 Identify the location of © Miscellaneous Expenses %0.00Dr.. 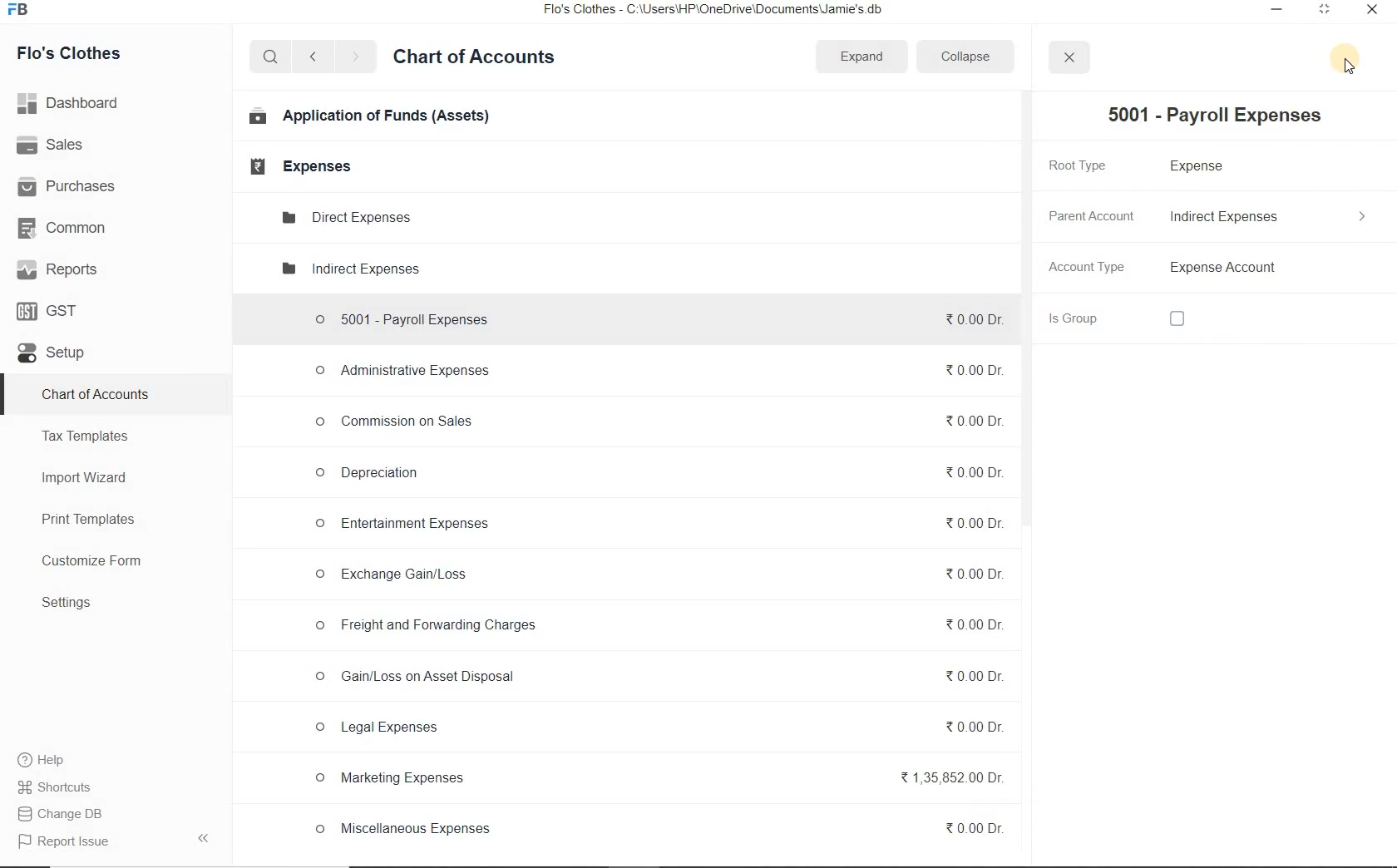
(657, 829).